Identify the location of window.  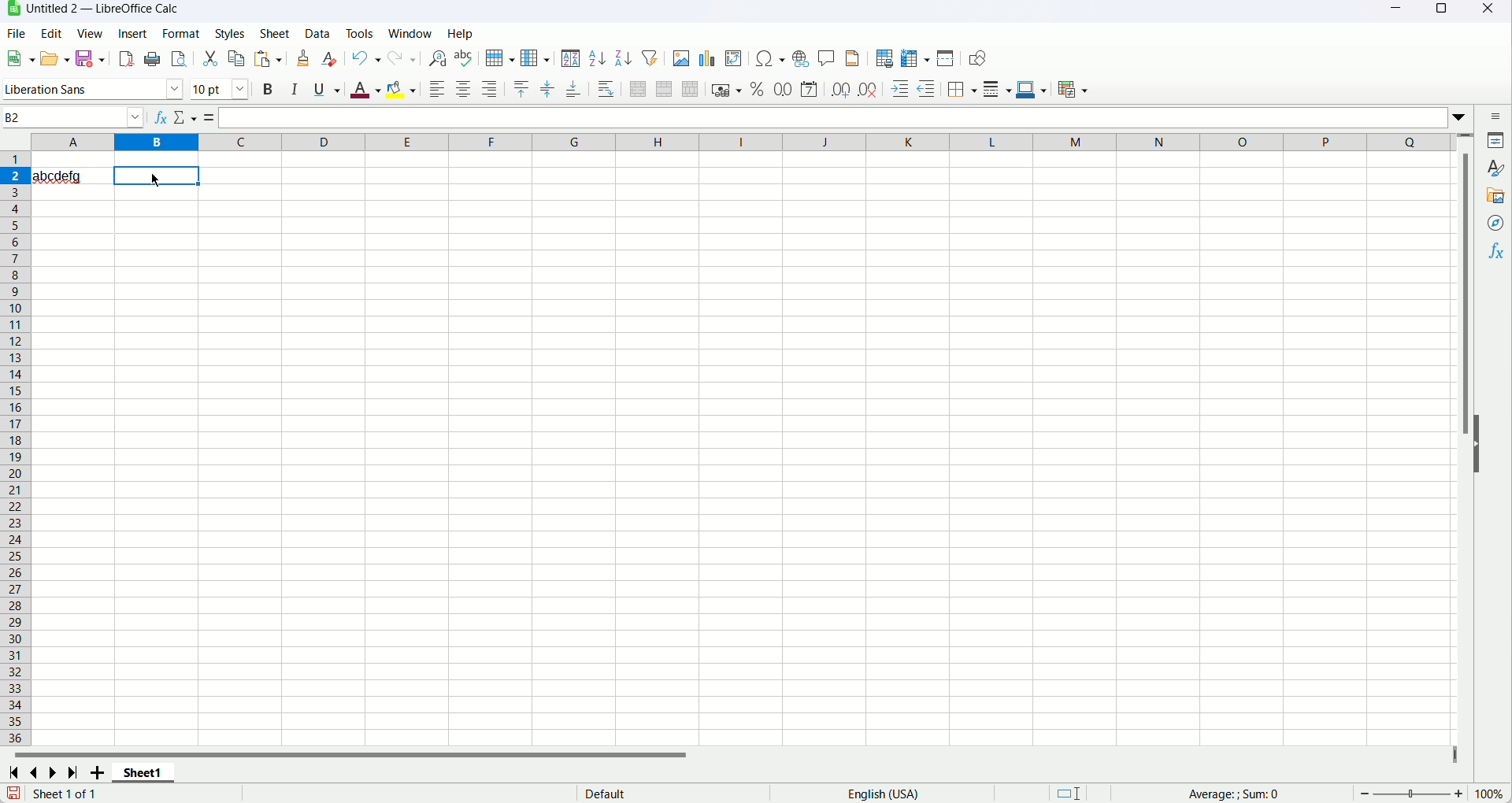
(409, 34).